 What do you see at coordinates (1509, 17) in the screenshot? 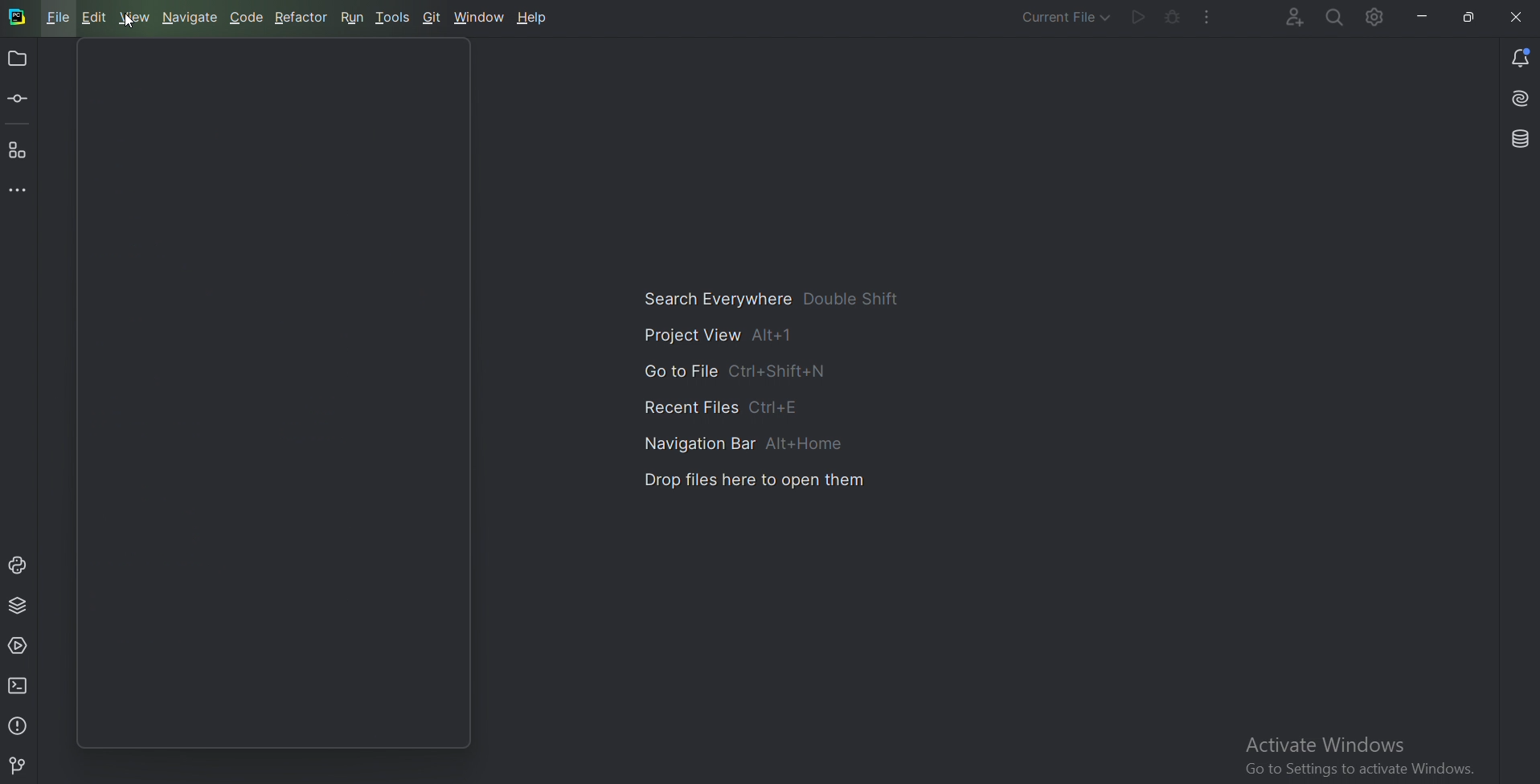
I see `Cross` at bounding box center [1509, 17].